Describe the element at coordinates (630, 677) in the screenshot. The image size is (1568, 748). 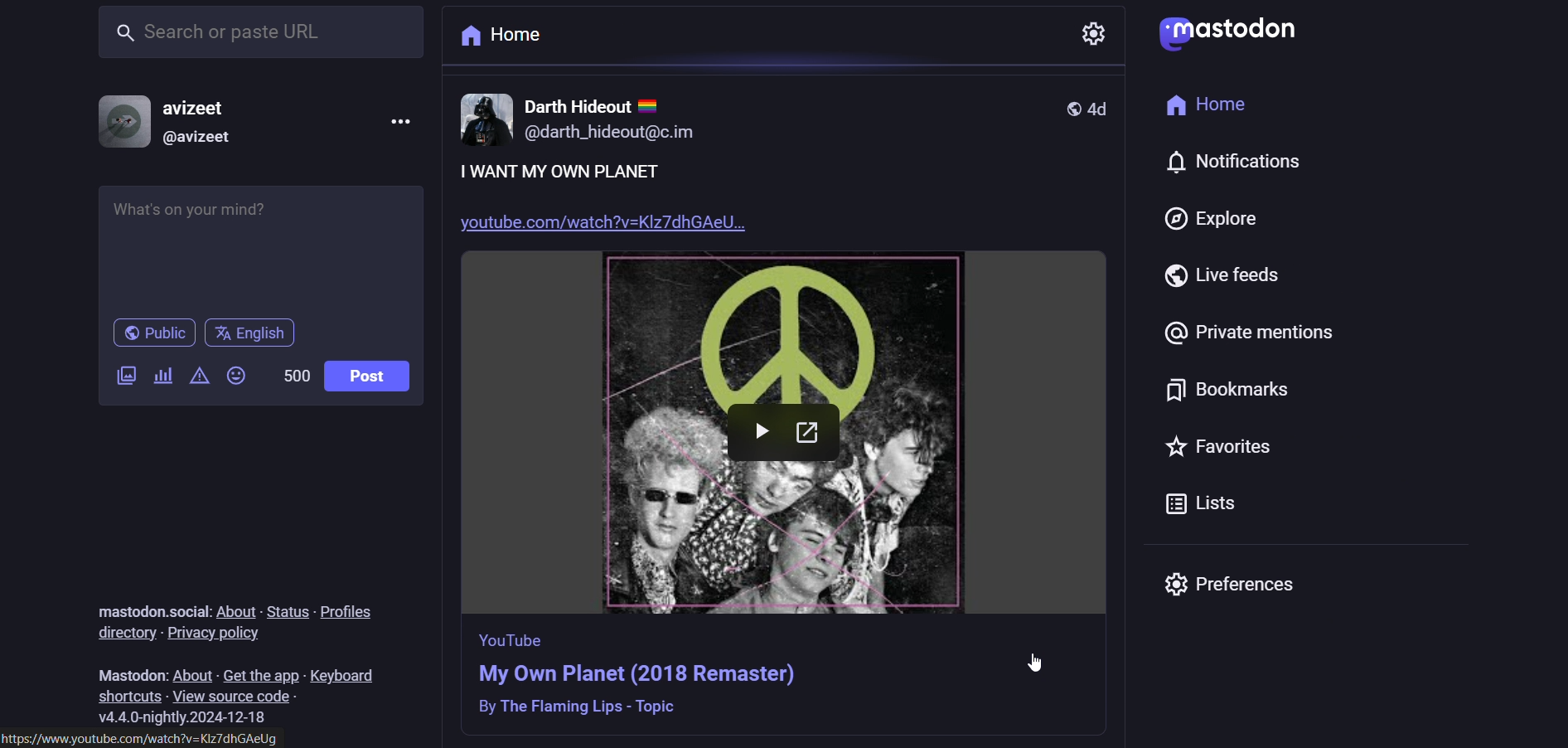
I see `post information` at that location.